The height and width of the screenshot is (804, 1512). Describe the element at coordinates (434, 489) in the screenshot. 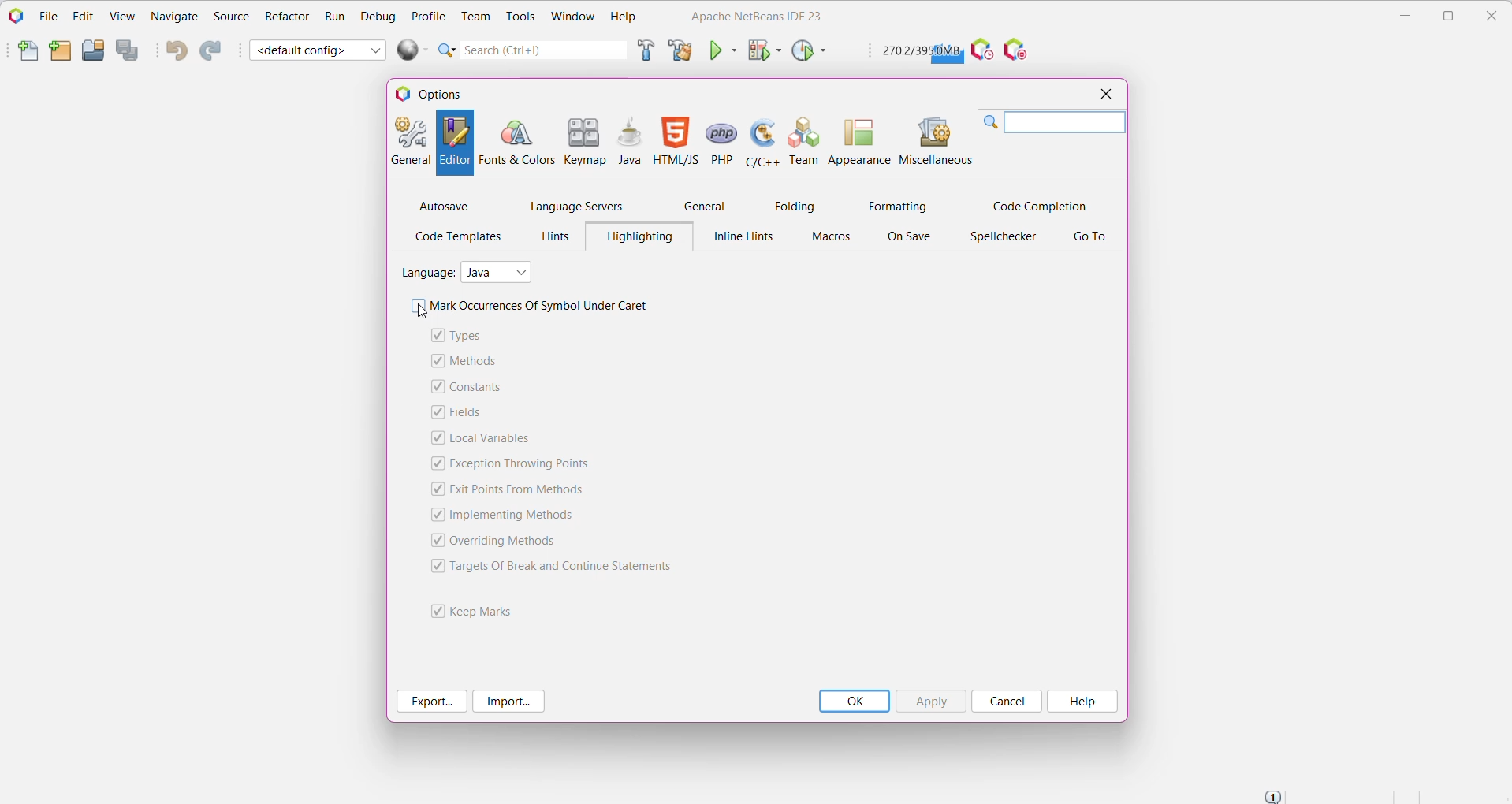

I see `checkbox` at that location.